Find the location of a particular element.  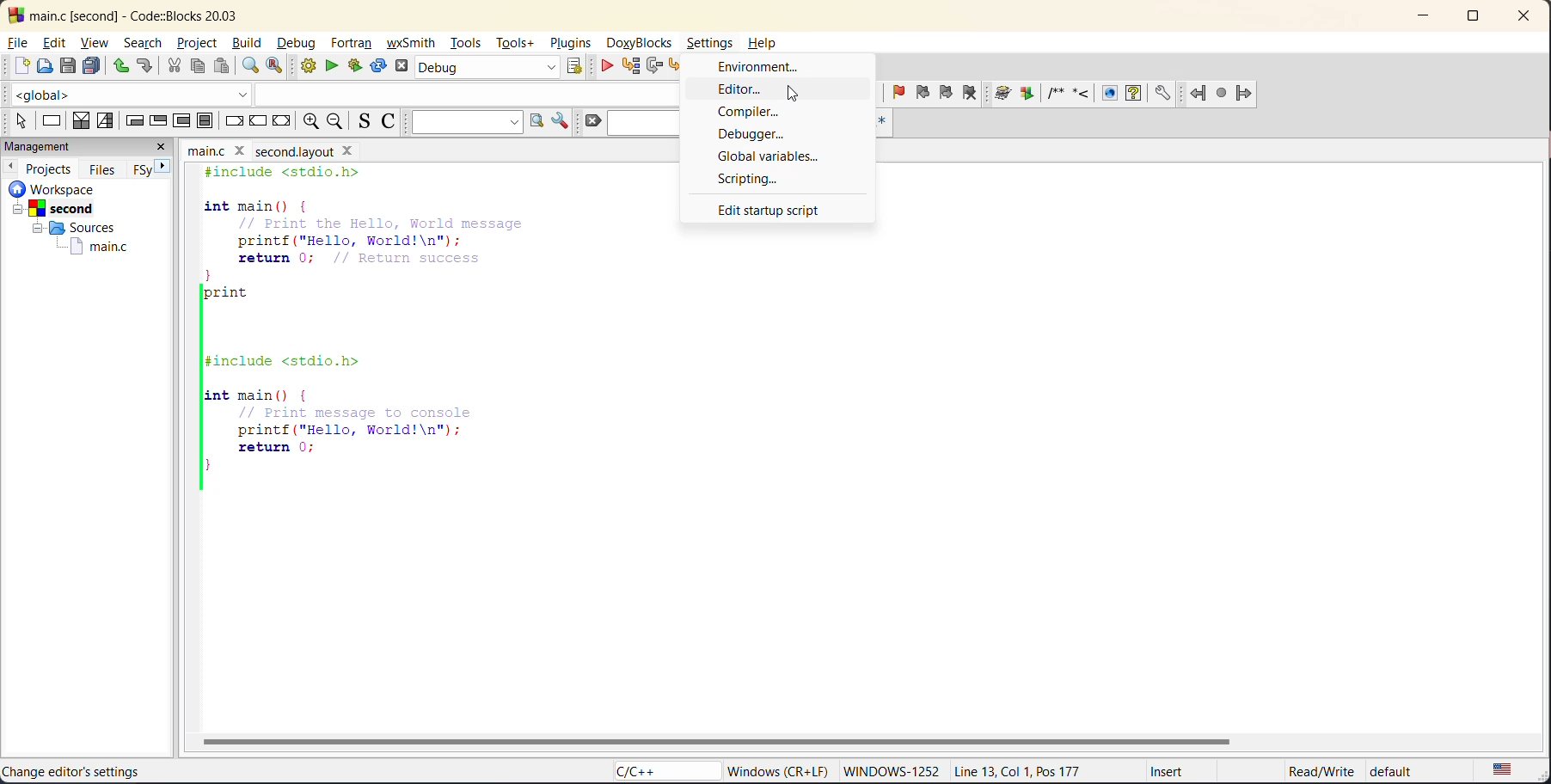

main.c is located at coordinates (89, 247).